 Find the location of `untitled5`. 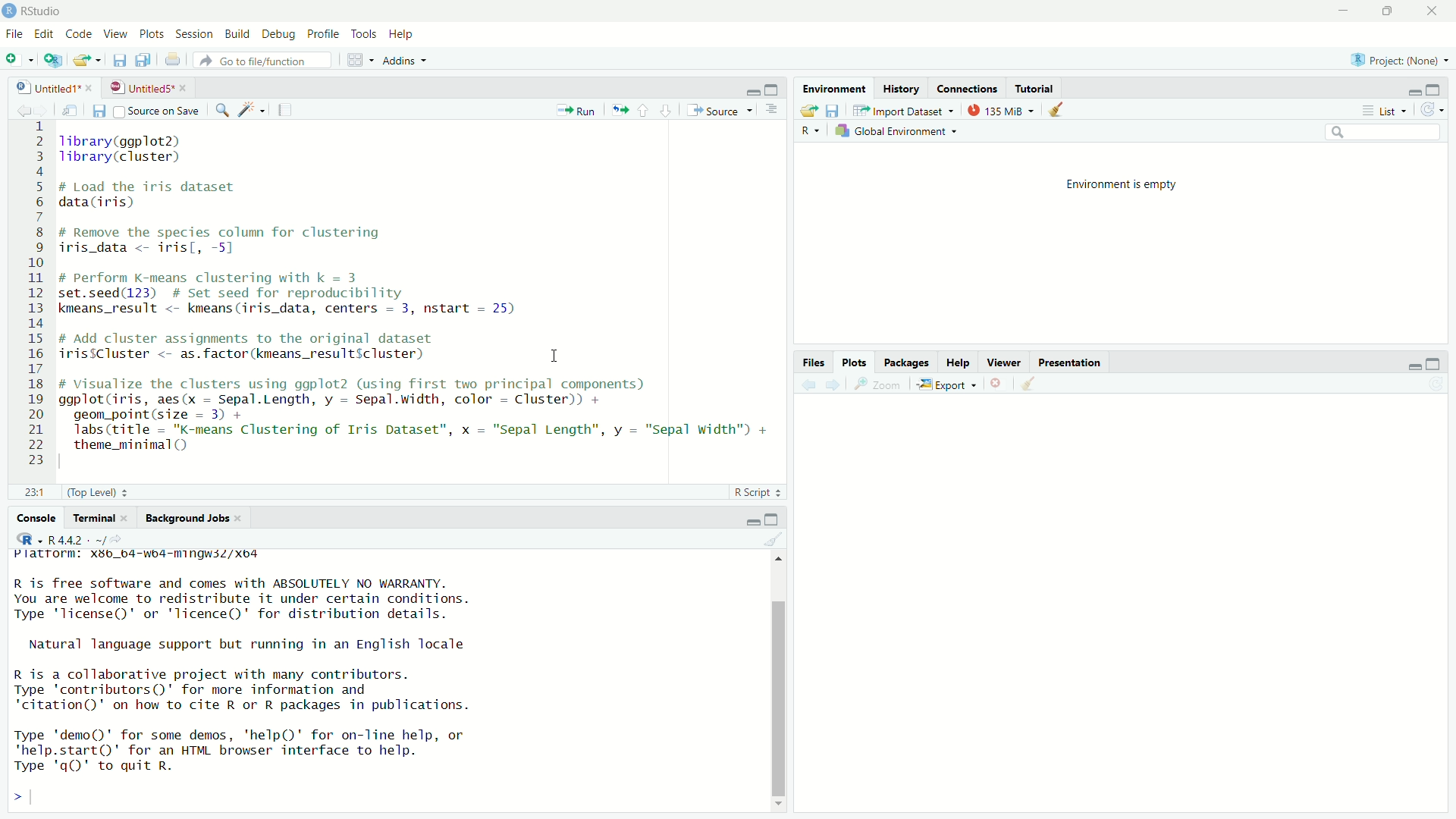

untitled5 is located at coordinates (139, 86).